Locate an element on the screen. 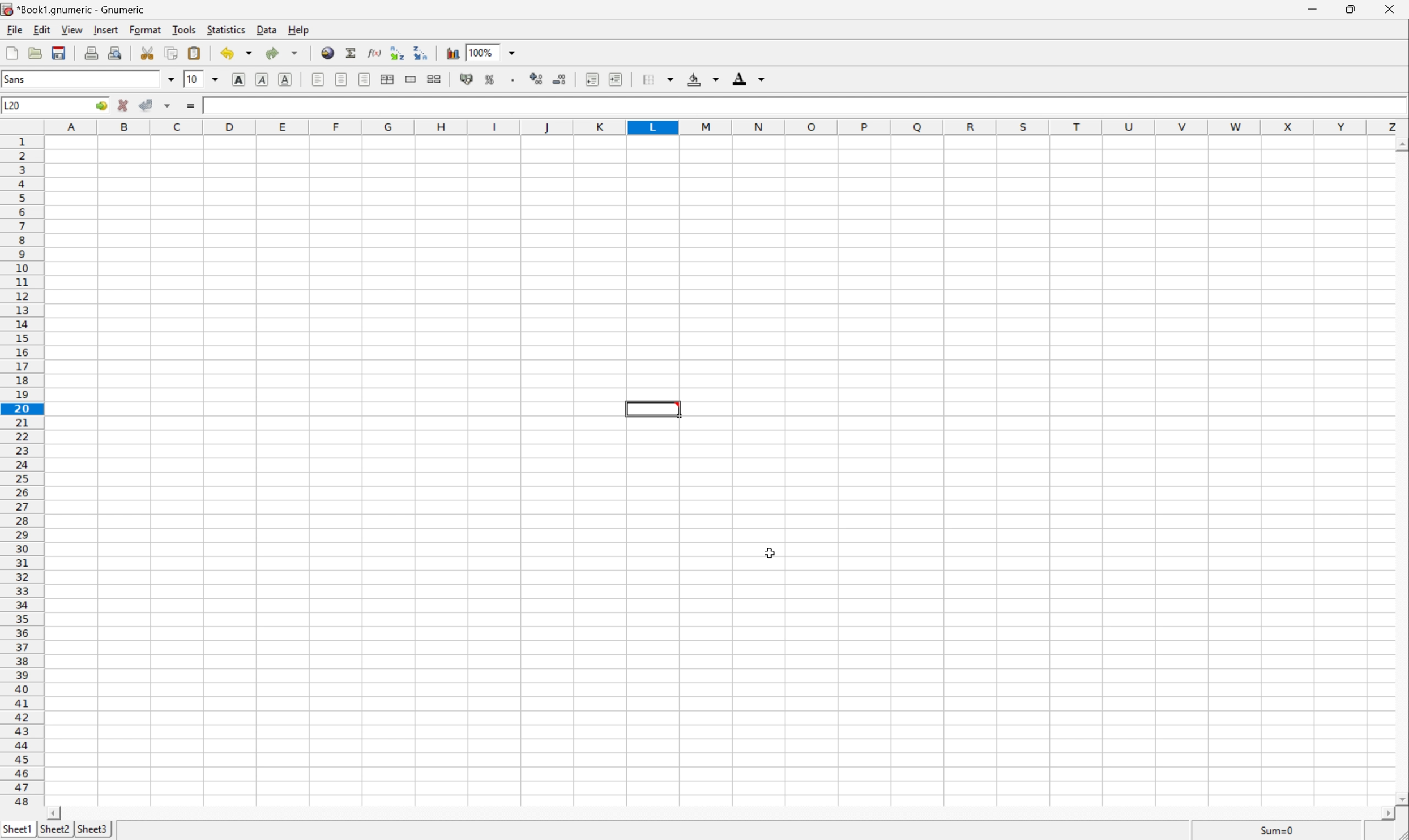 This screenshot has height=840, width=1409. Insert a chart is located at coordinates (452, 54).